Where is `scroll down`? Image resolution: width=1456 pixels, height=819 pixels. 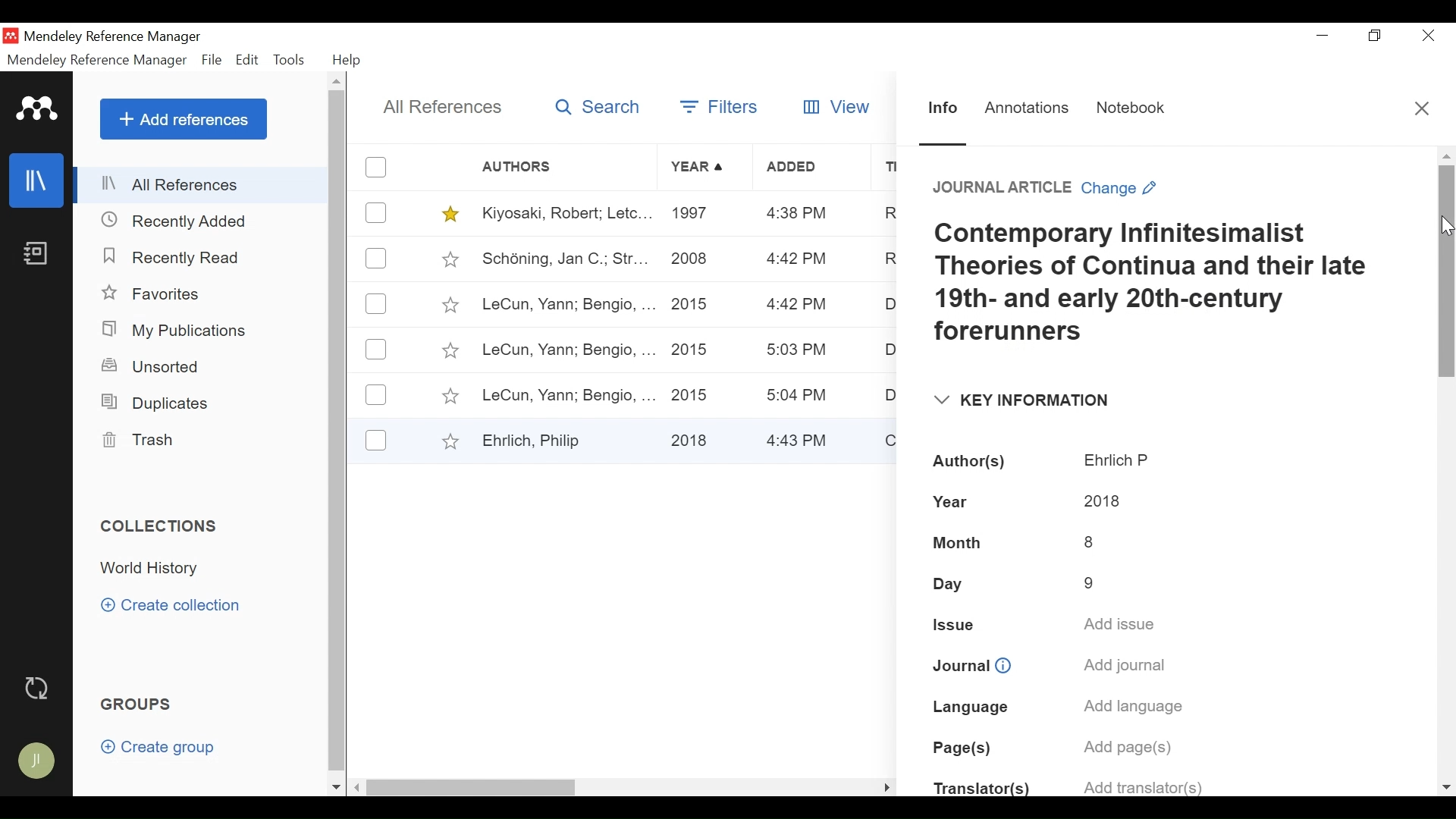 scroll down is located at coordinates (1445, 786).